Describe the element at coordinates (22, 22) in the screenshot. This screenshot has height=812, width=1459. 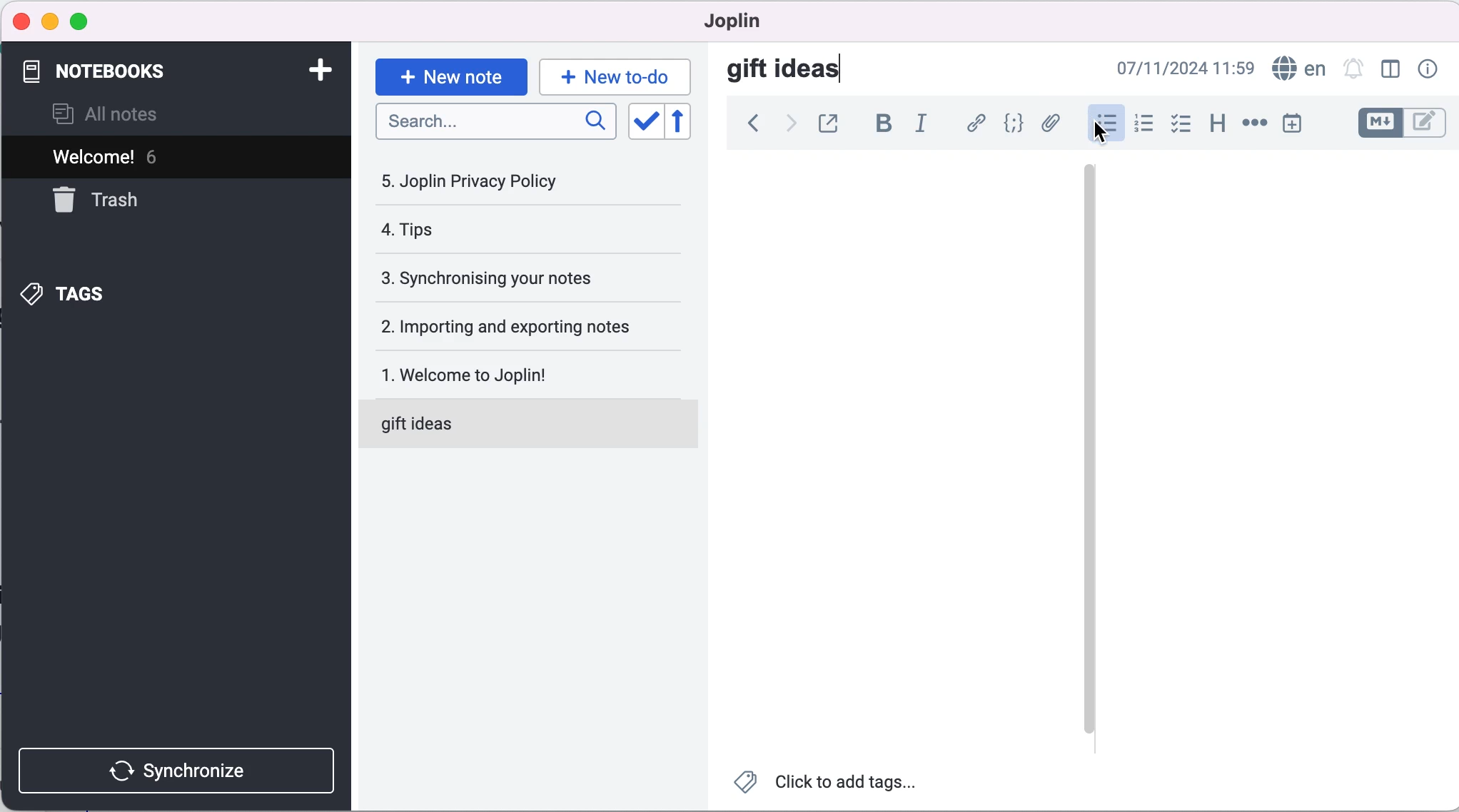
I see `close` at that location.